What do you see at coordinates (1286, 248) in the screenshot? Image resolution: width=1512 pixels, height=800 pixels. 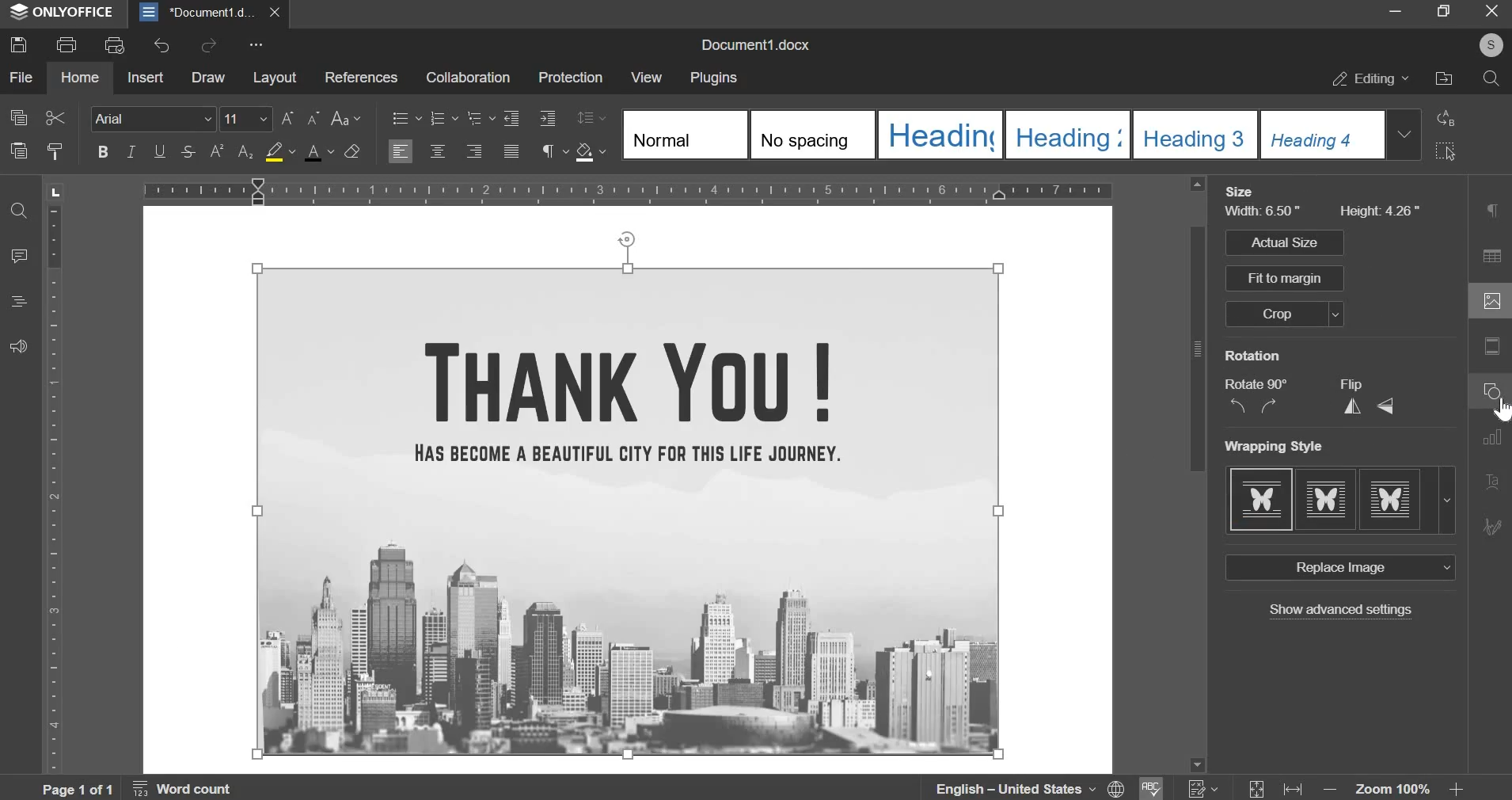 I see `Paragraph spacing` at bounding box center [1286, 248].